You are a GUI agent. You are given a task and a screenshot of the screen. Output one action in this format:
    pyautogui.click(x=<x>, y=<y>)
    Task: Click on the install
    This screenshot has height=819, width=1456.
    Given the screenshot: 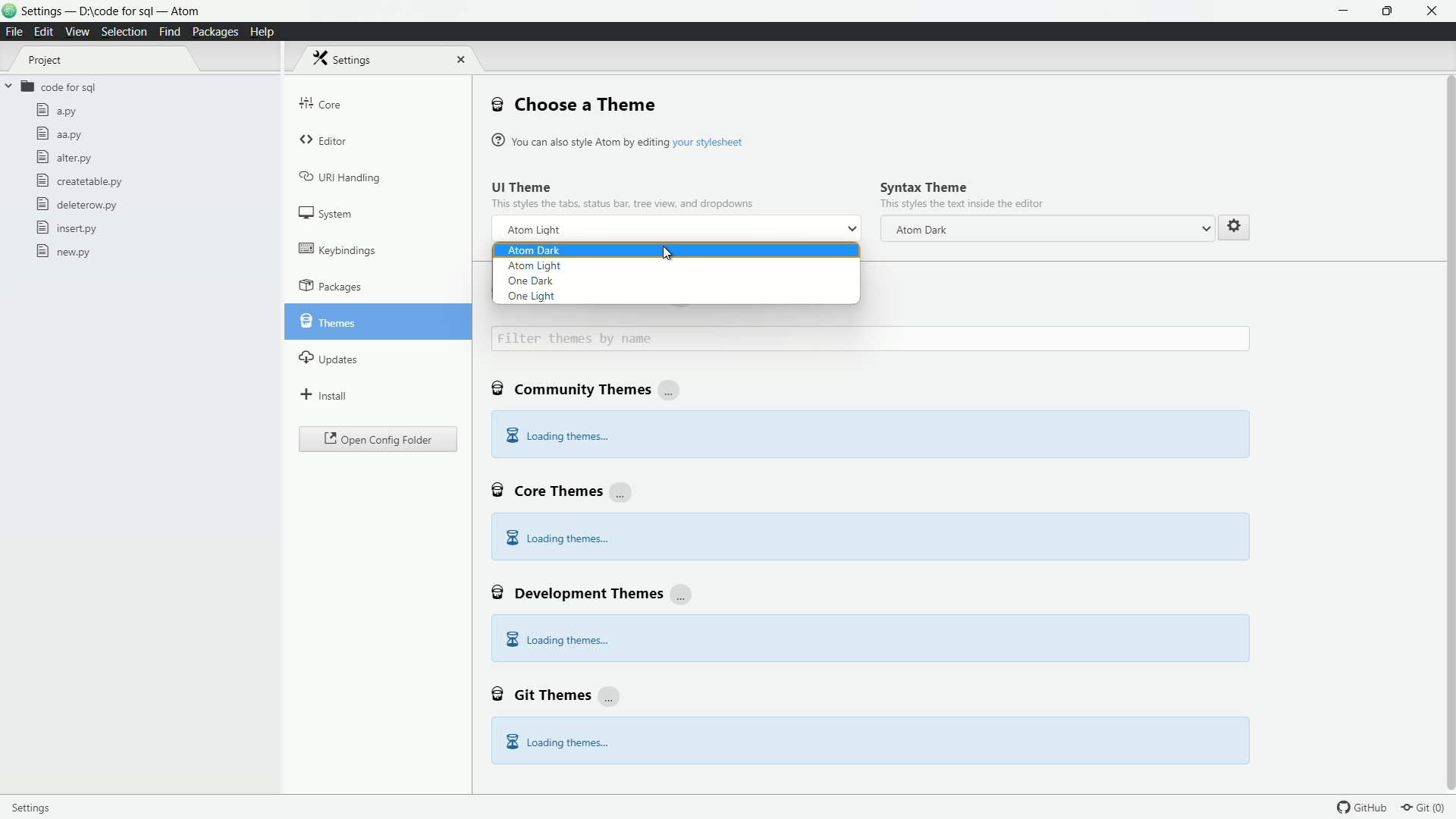 What is the action you would take?
    pyautogui.click(x=325, y=394)
    